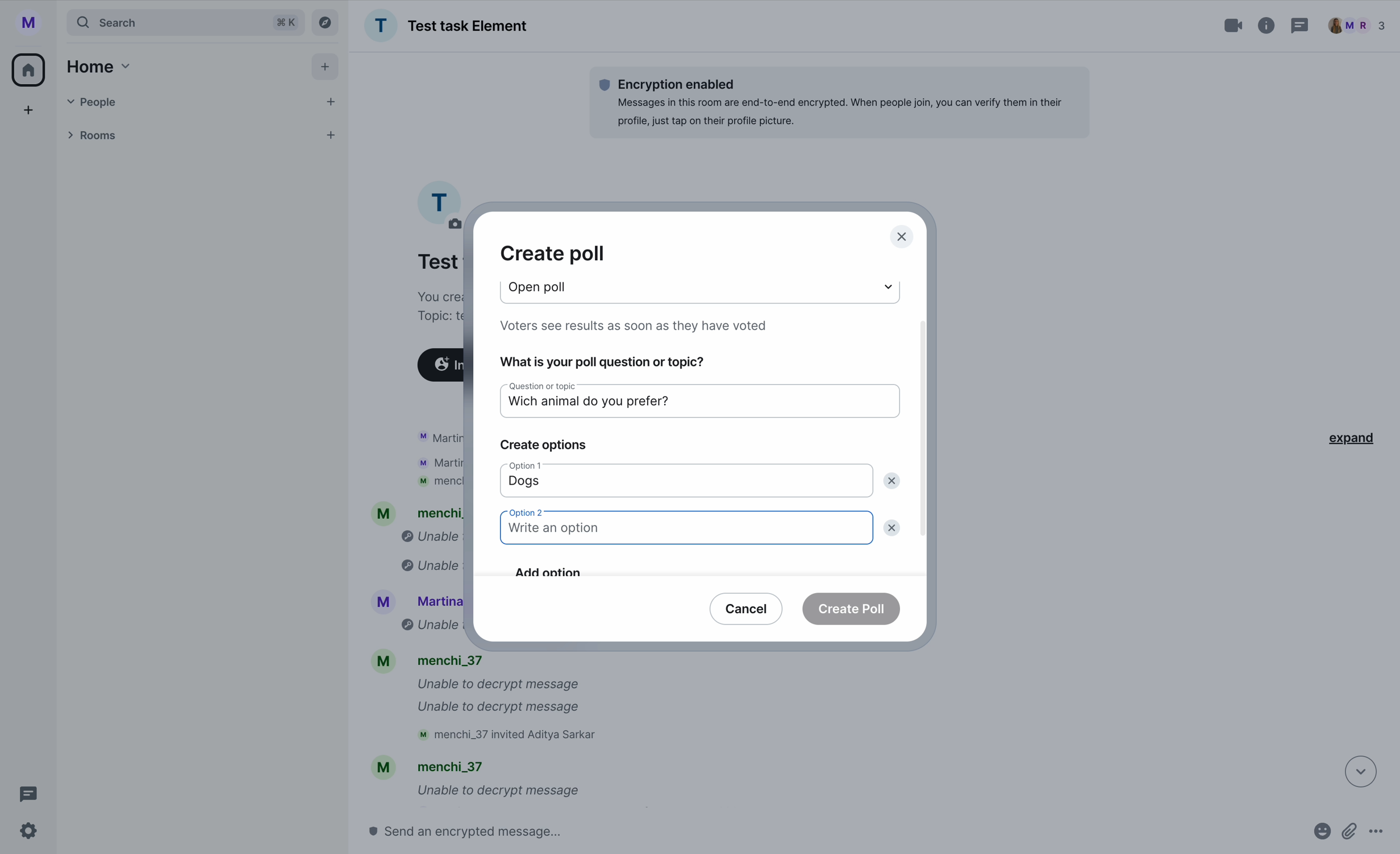 The width and height of the screenshot is (1400, 854). I want to click on question or topic, so click(546, 387).